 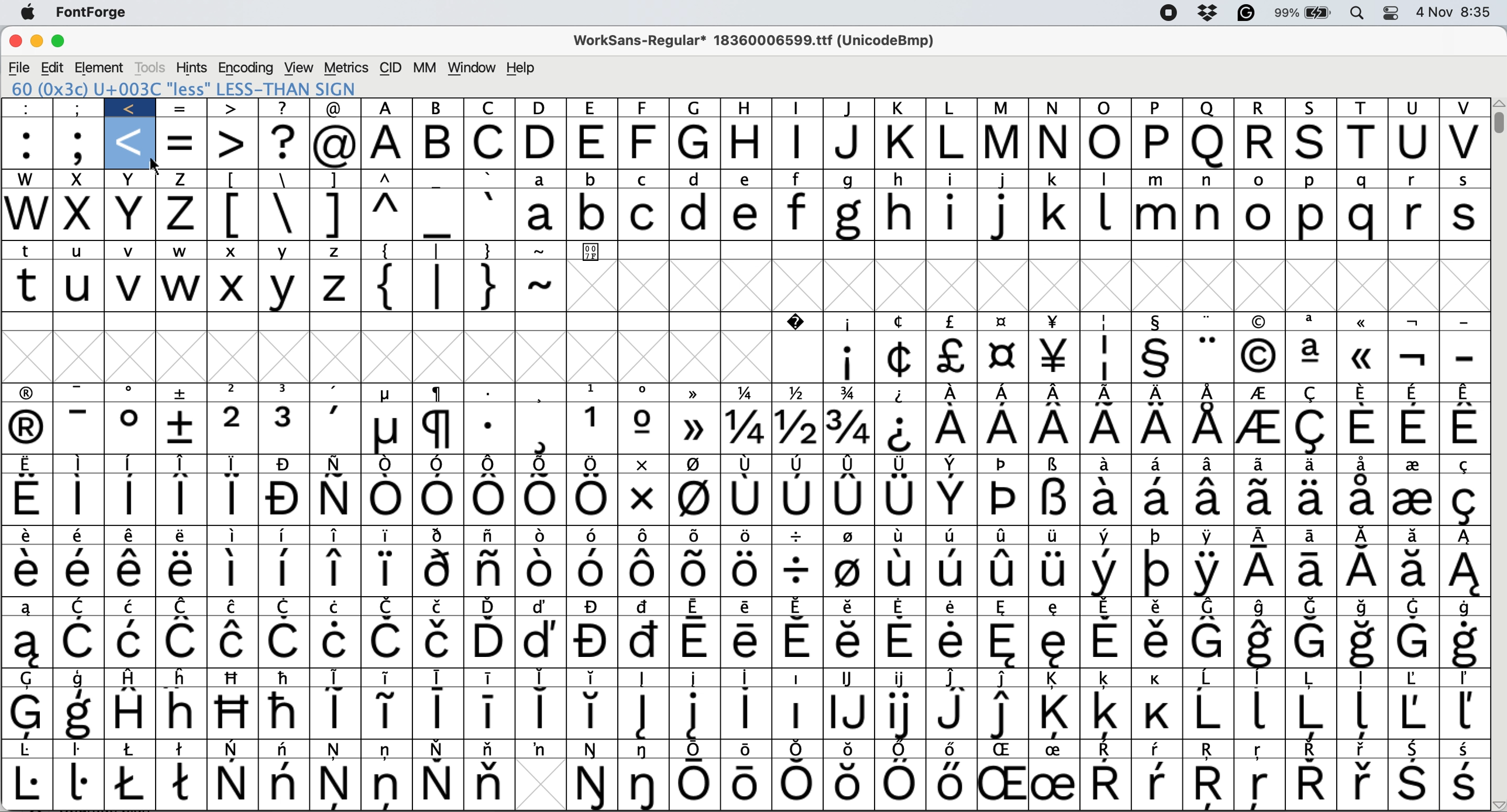 I want to click on Symbol, so click(x=1412, y=501).